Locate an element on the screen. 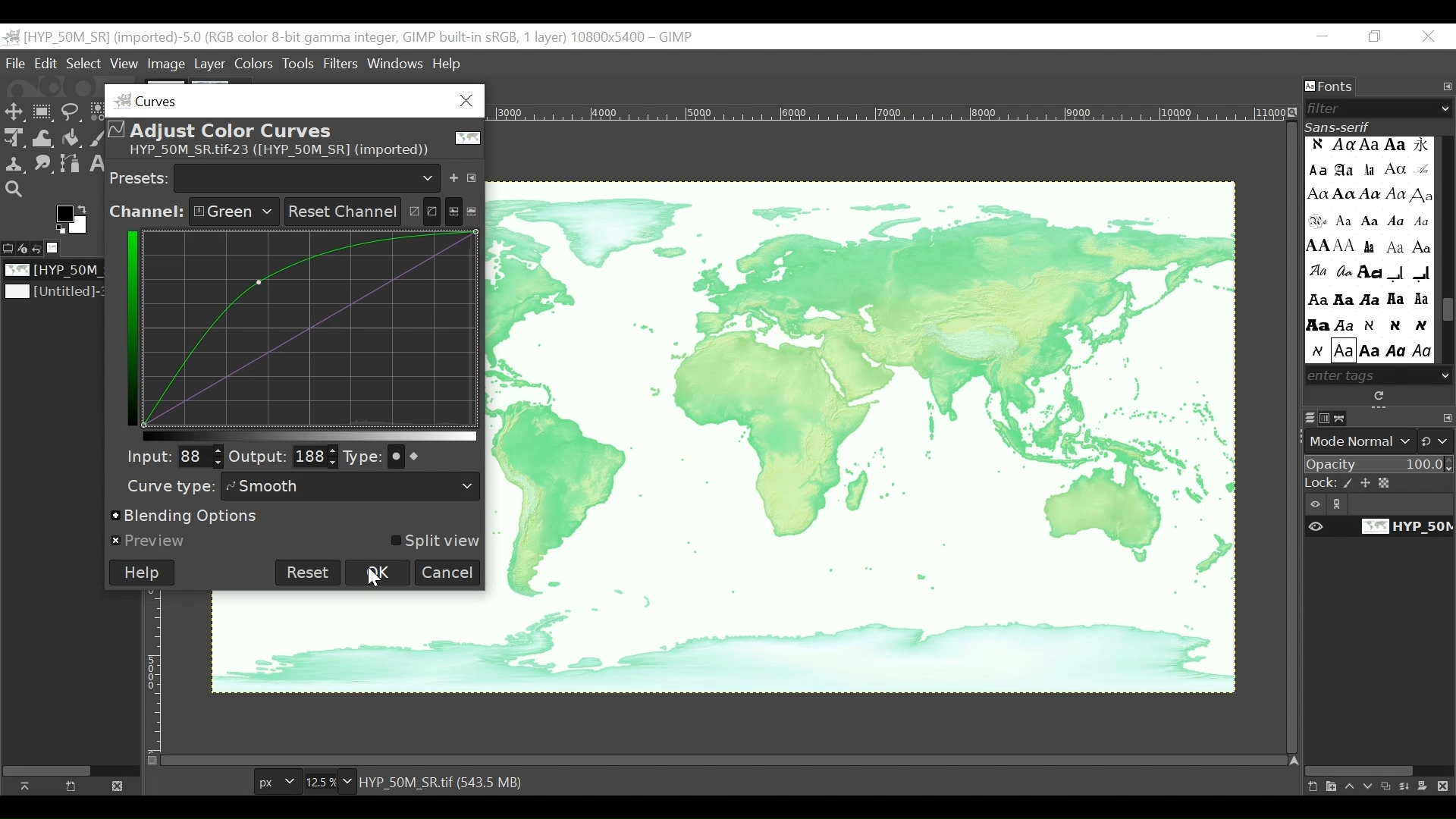  Pick a preset for the list is located at coordinates (308, 177).